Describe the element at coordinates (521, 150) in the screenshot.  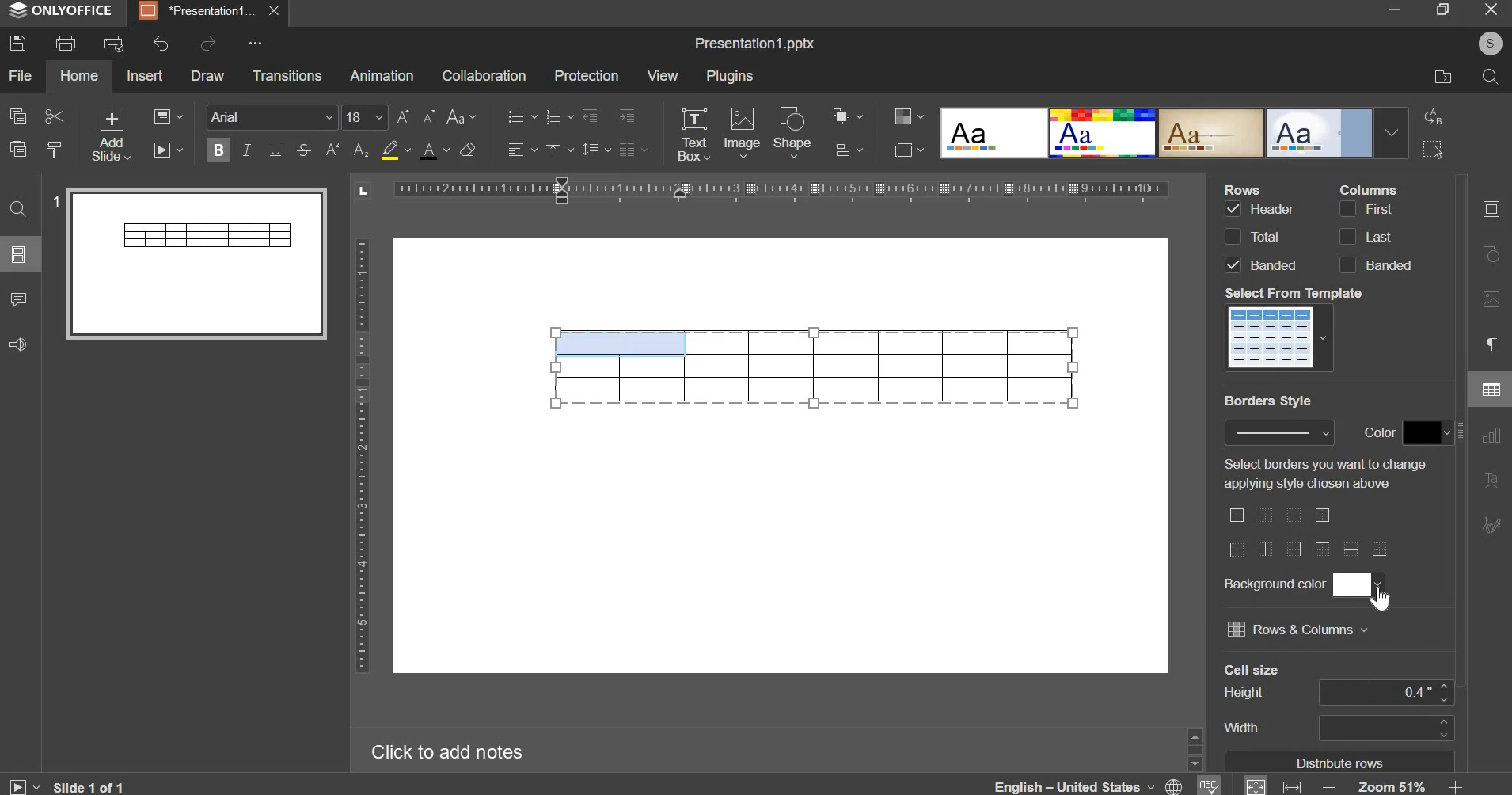
I see `horizontal alignment` at that location.